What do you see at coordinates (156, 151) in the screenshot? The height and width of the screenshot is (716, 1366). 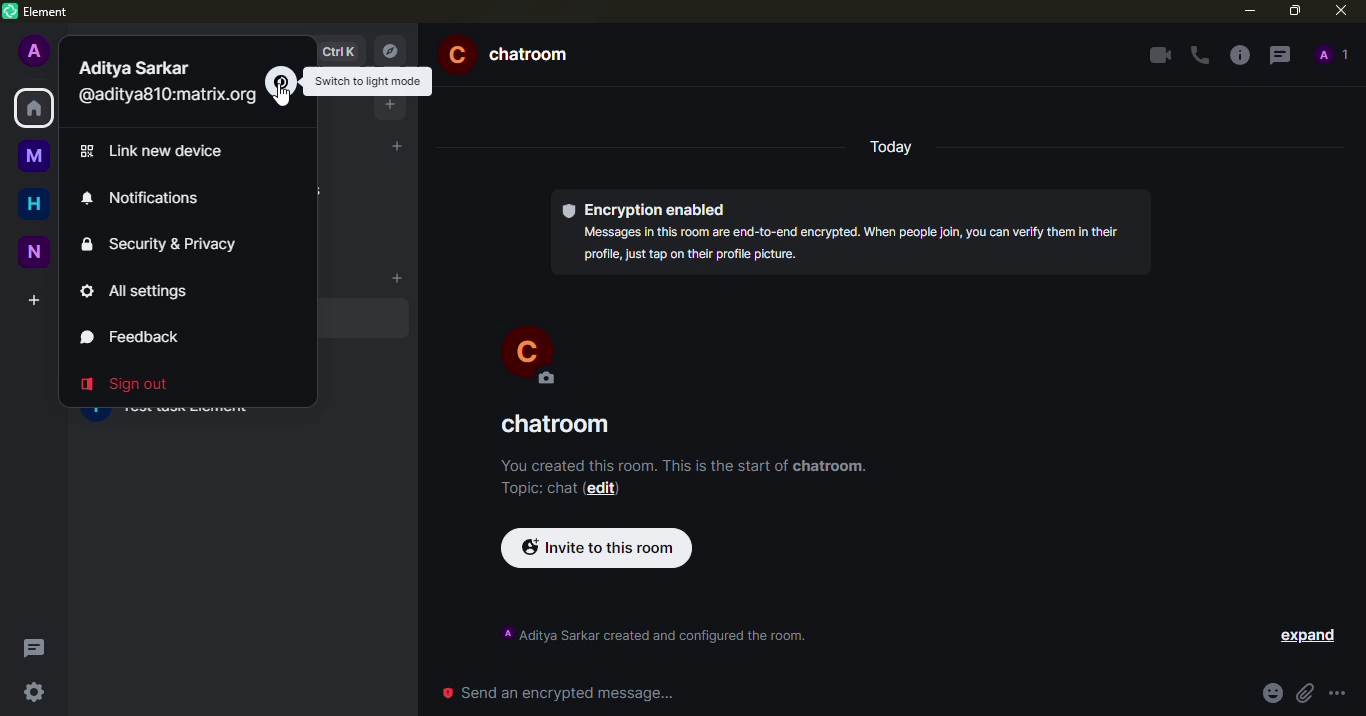 I see `link new device` at bounding box center [156, 151].